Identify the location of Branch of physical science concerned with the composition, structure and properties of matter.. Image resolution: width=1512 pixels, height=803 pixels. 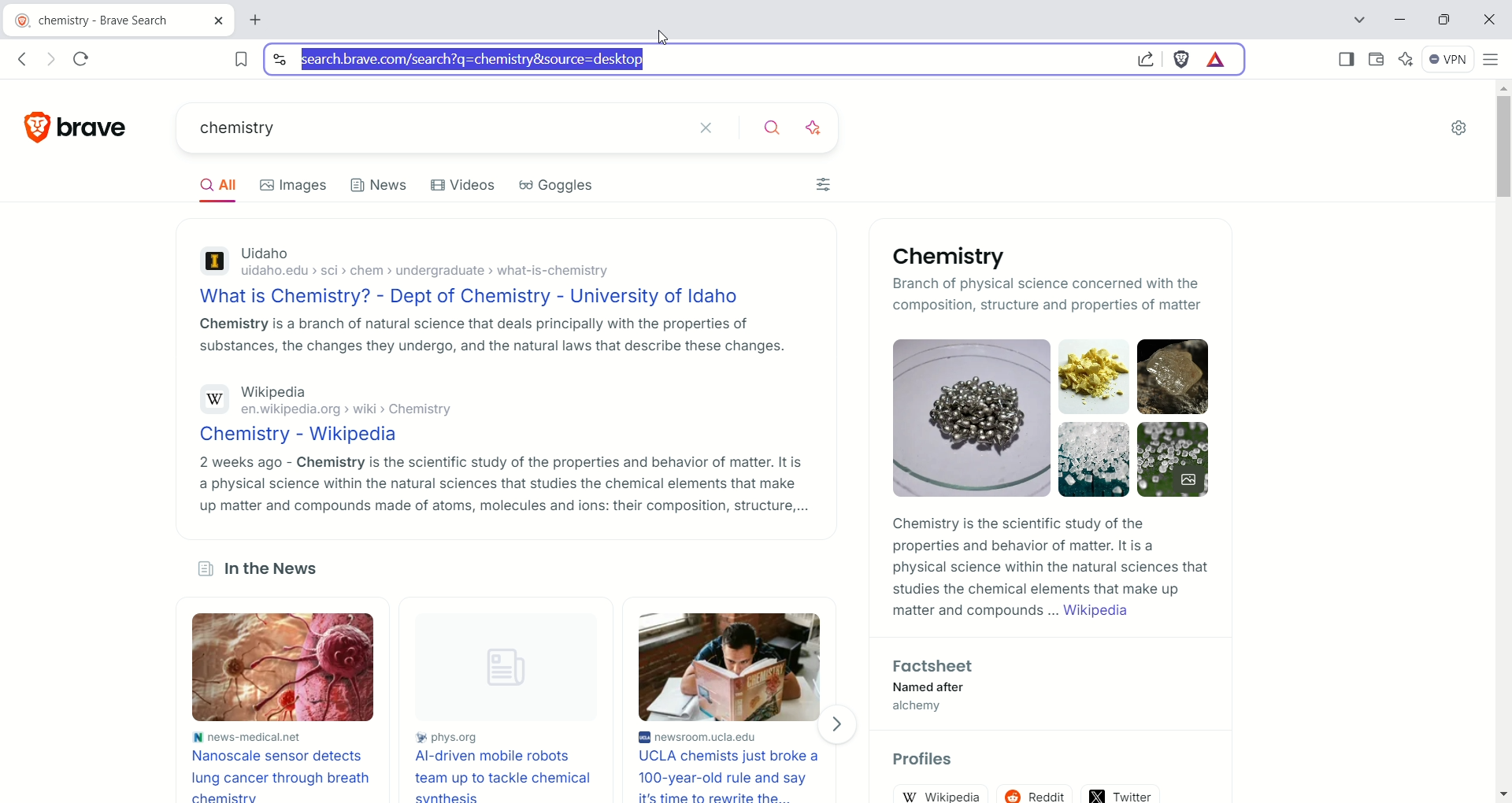
(999, 293).